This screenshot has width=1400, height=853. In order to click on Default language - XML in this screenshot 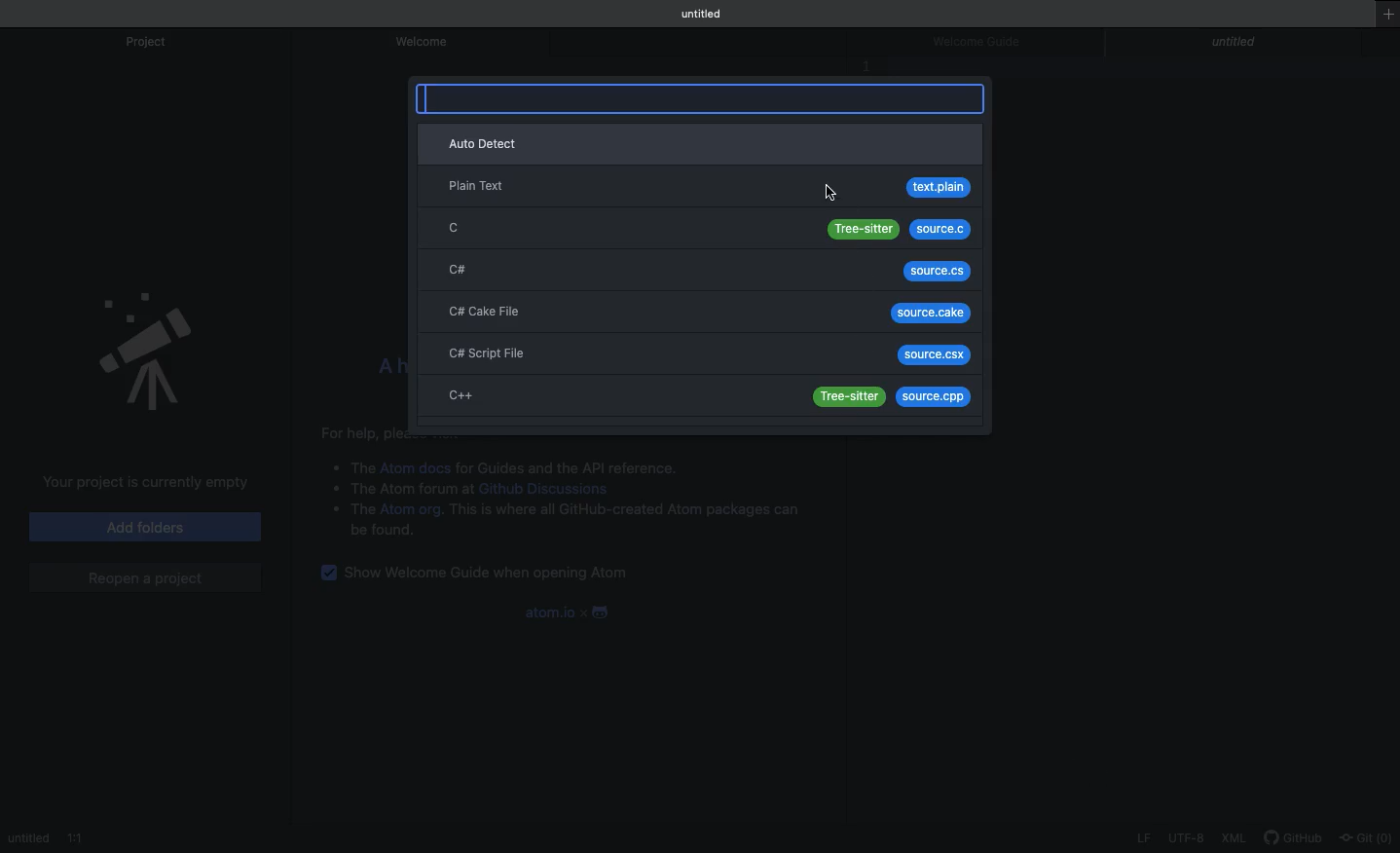, I will do `click(1237, 834)`.